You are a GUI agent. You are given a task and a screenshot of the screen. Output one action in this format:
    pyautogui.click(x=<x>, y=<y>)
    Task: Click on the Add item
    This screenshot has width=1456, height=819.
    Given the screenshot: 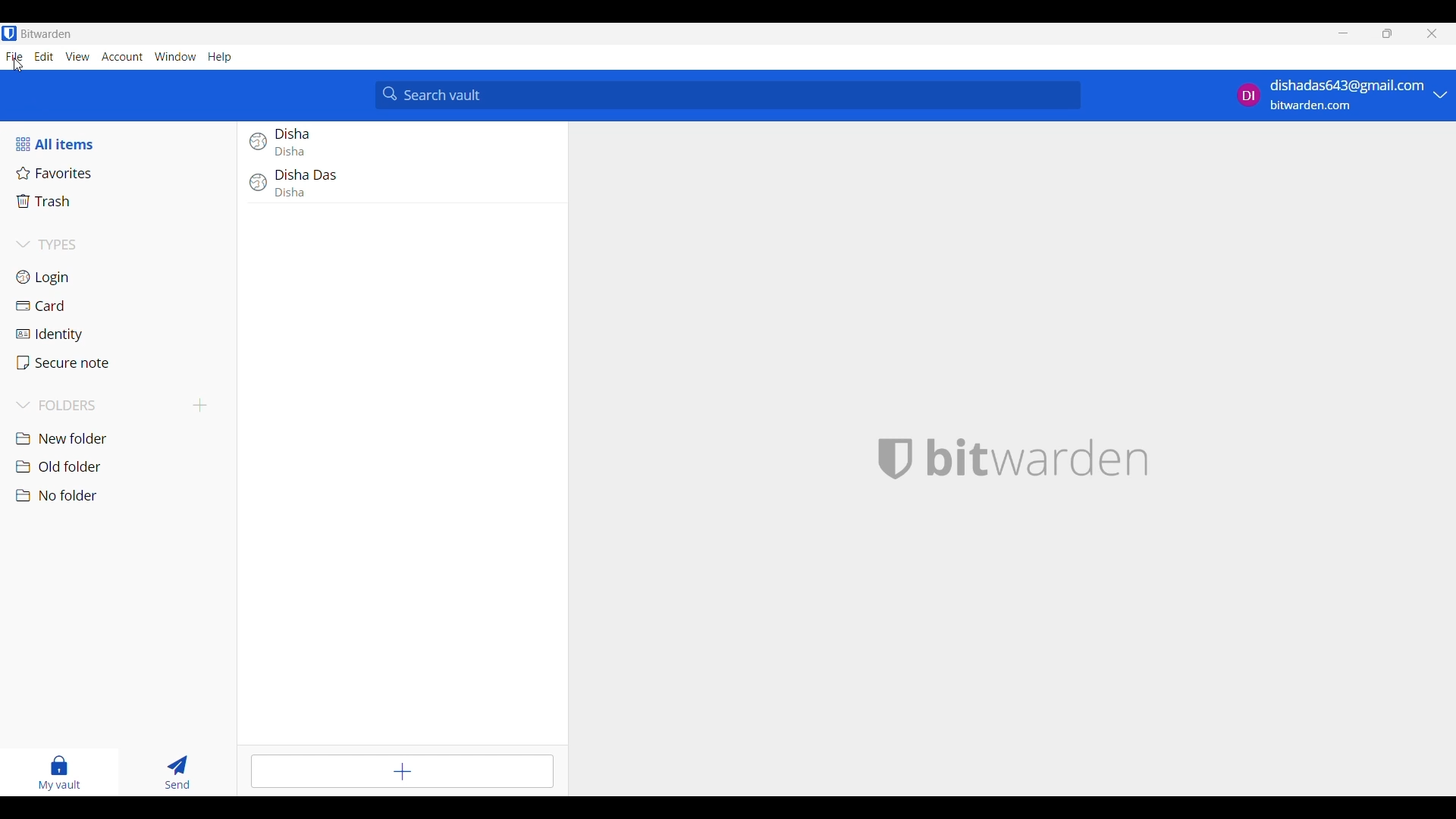 What is the action you would take?
    pyautogui.click(x=403, y=771)
    